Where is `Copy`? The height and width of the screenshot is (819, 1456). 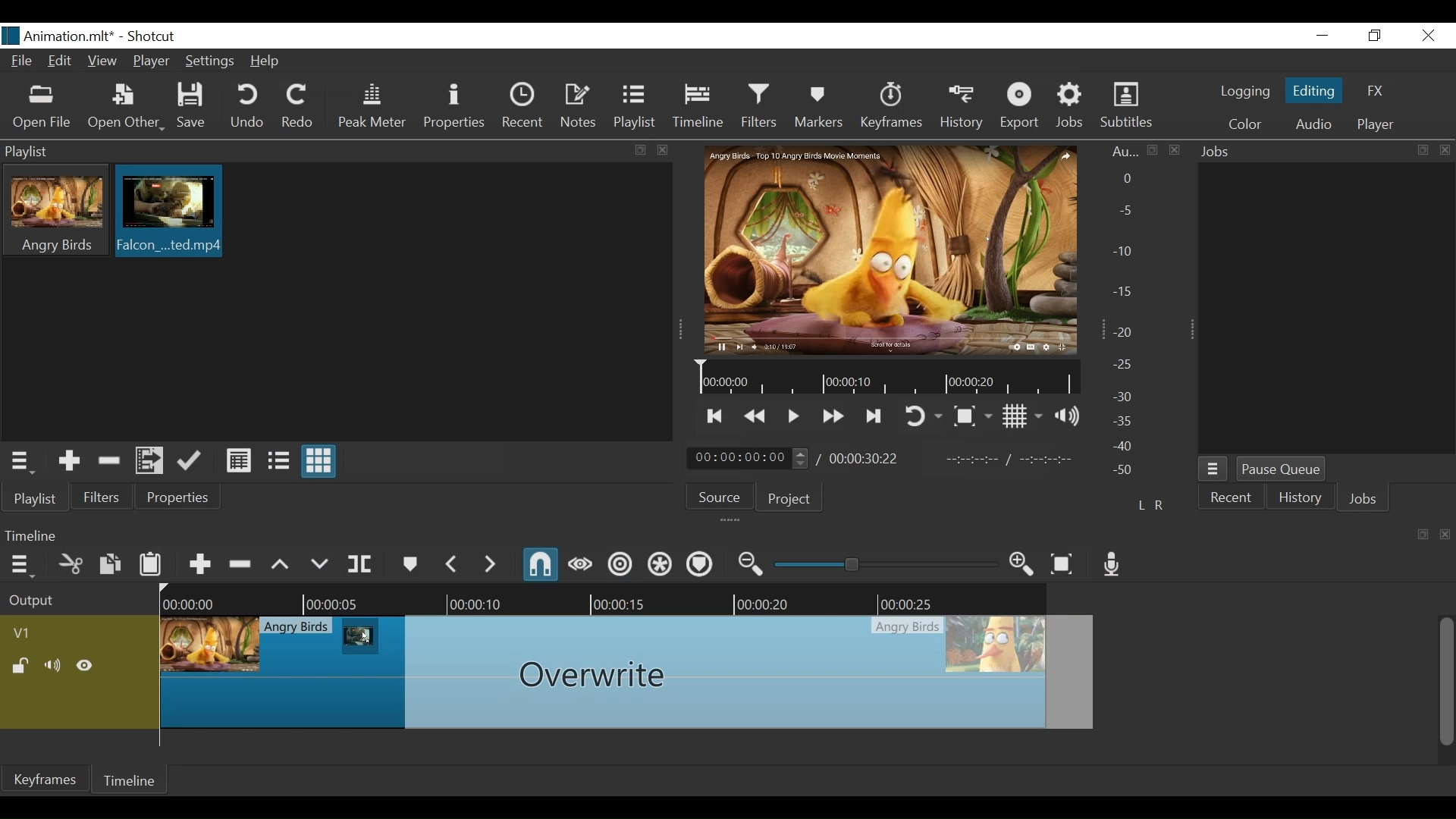
Copy is located at coordinates (110, 563).